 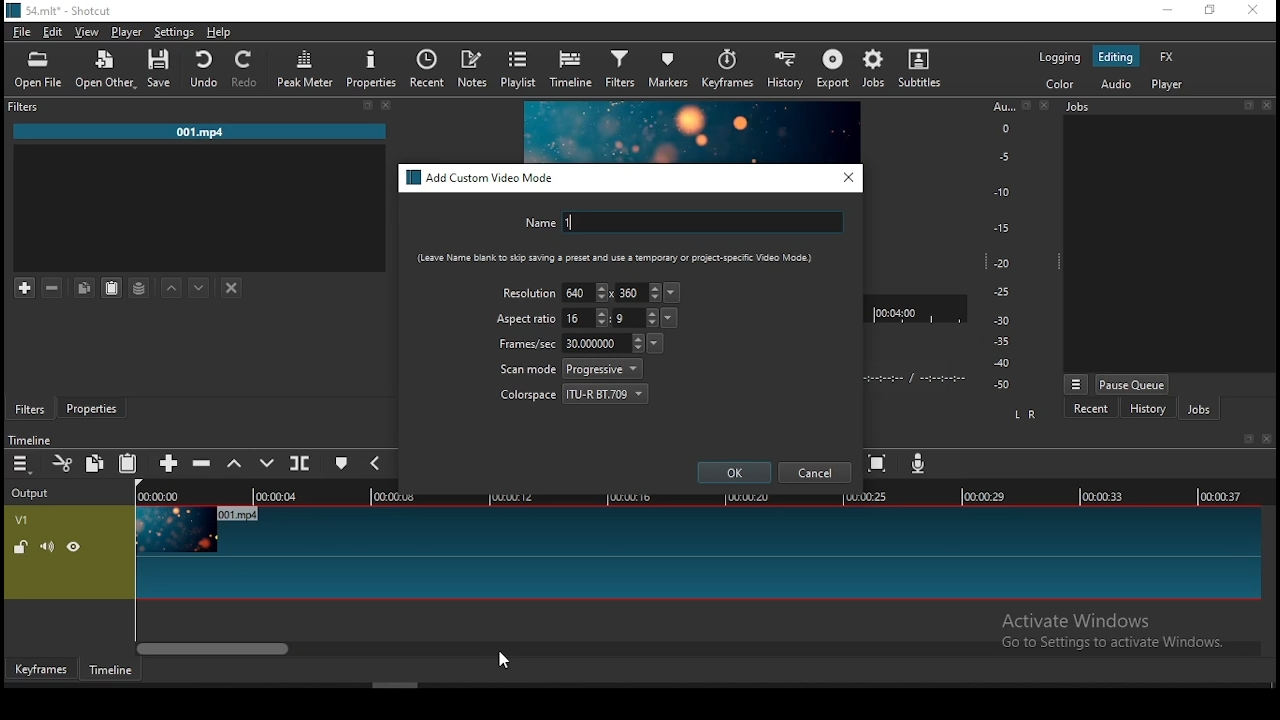 What do you see at coordinates (47, 546) in the screenshot?
I see `volume` at bounding box center [47, 546].